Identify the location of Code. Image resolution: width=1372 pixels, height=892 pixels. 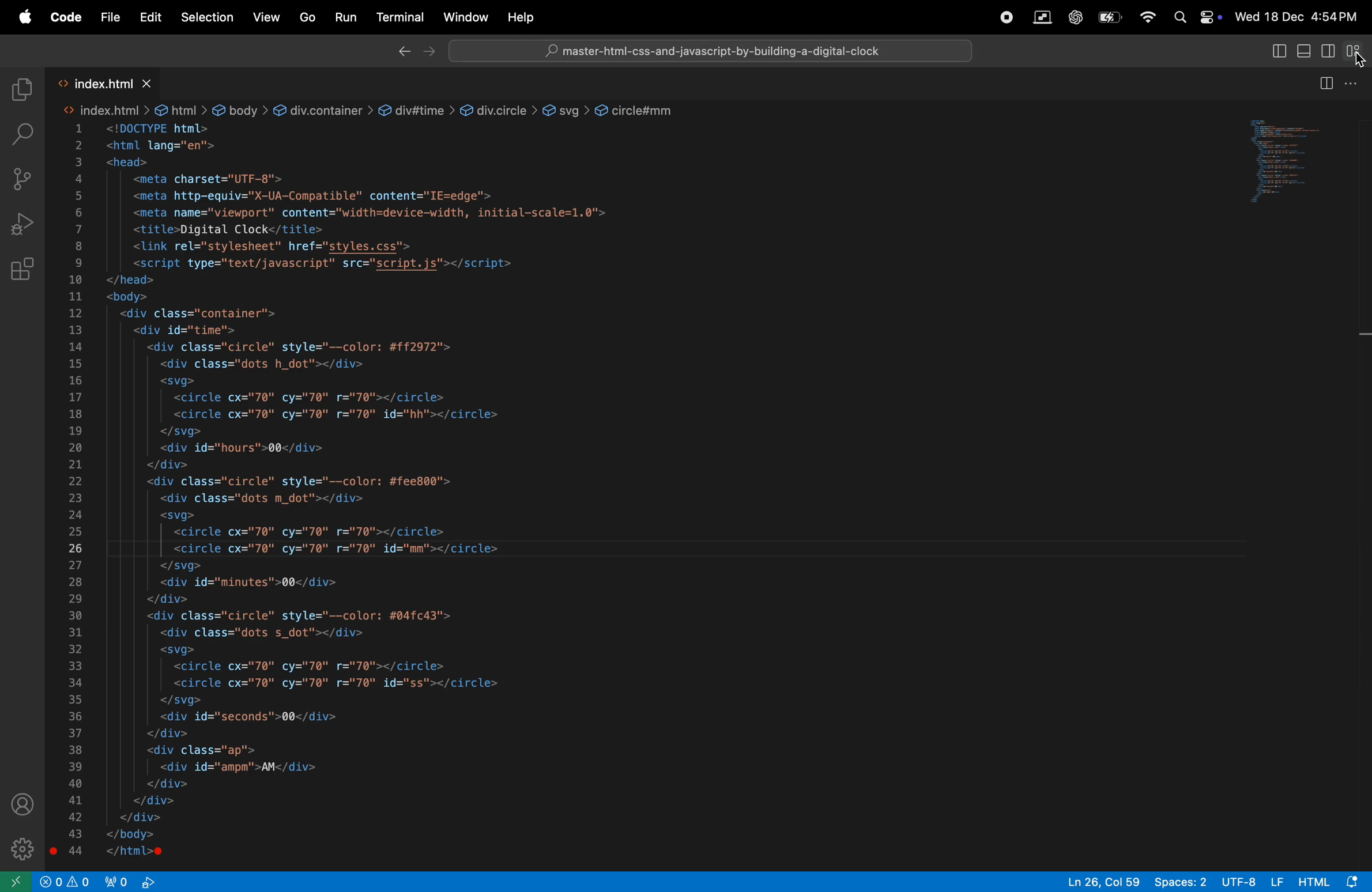
(66, 17).